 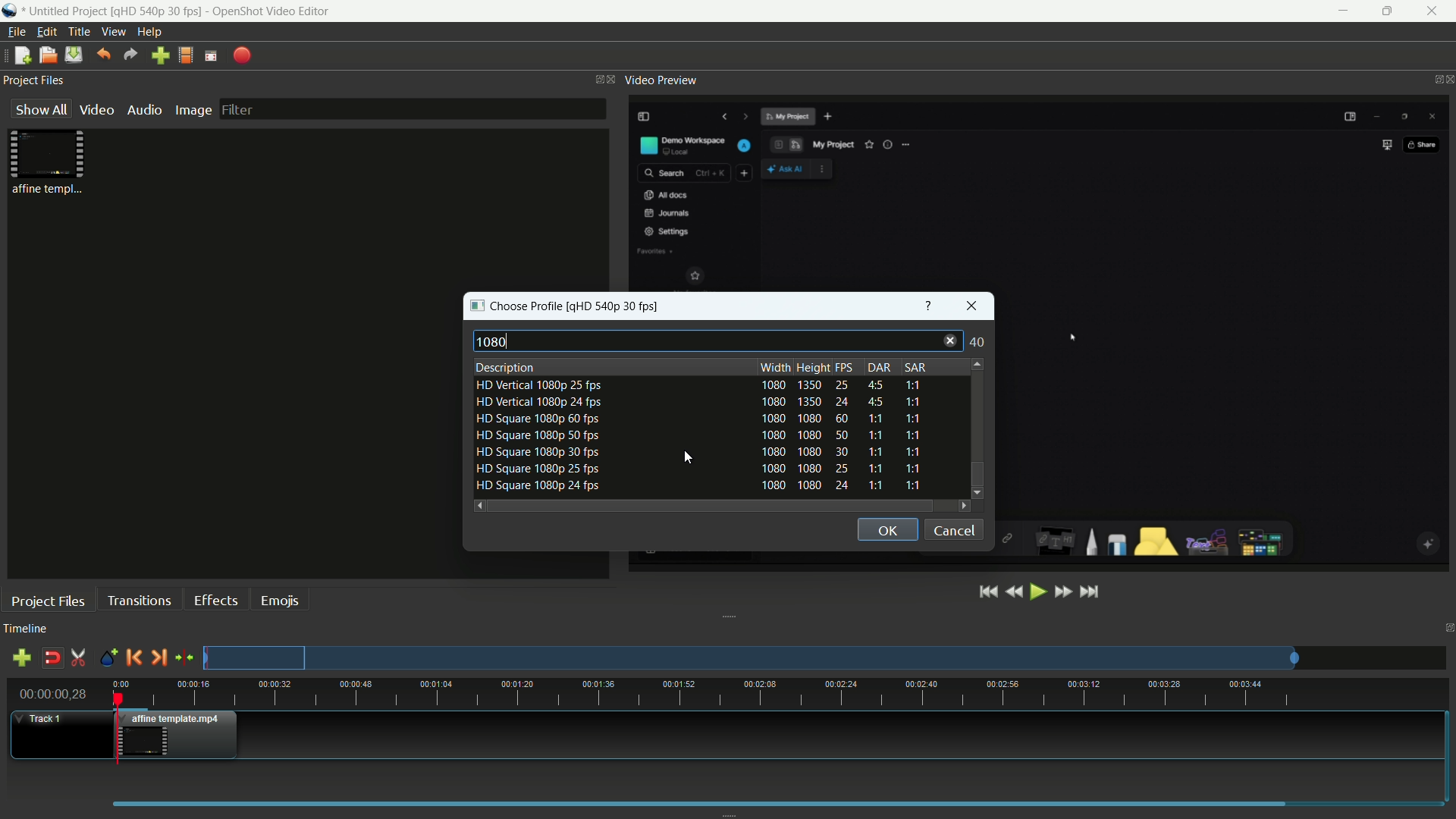 What do you see at coordinates (45, 55) in the screenshot?
I see `open file` at bounding box center [45, 55].